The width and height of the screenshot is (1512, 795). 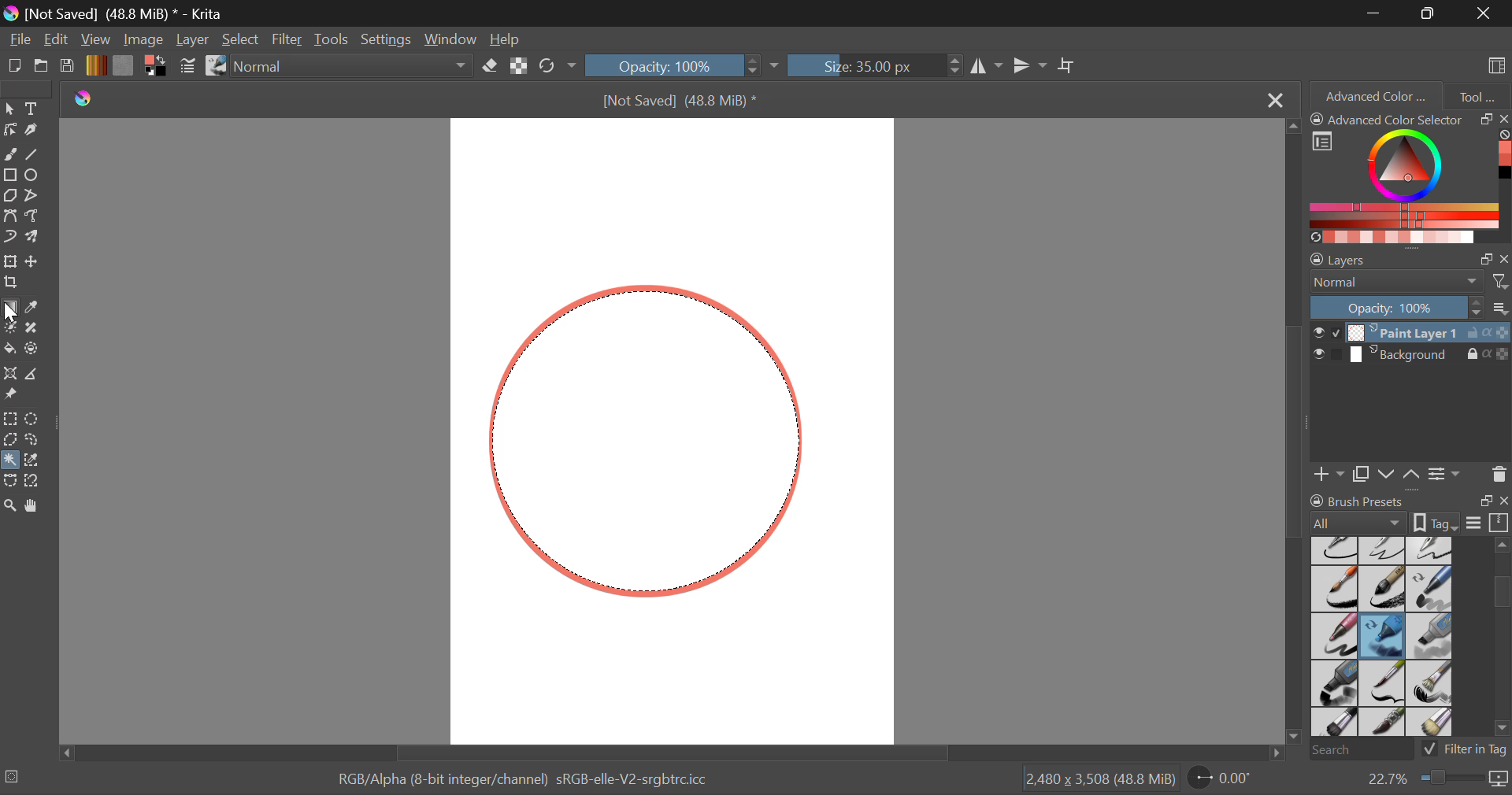 What do you see at coordinates (187, 67) in the screenshot?
I see `Brush Settings` at bounding box center [187, 67].